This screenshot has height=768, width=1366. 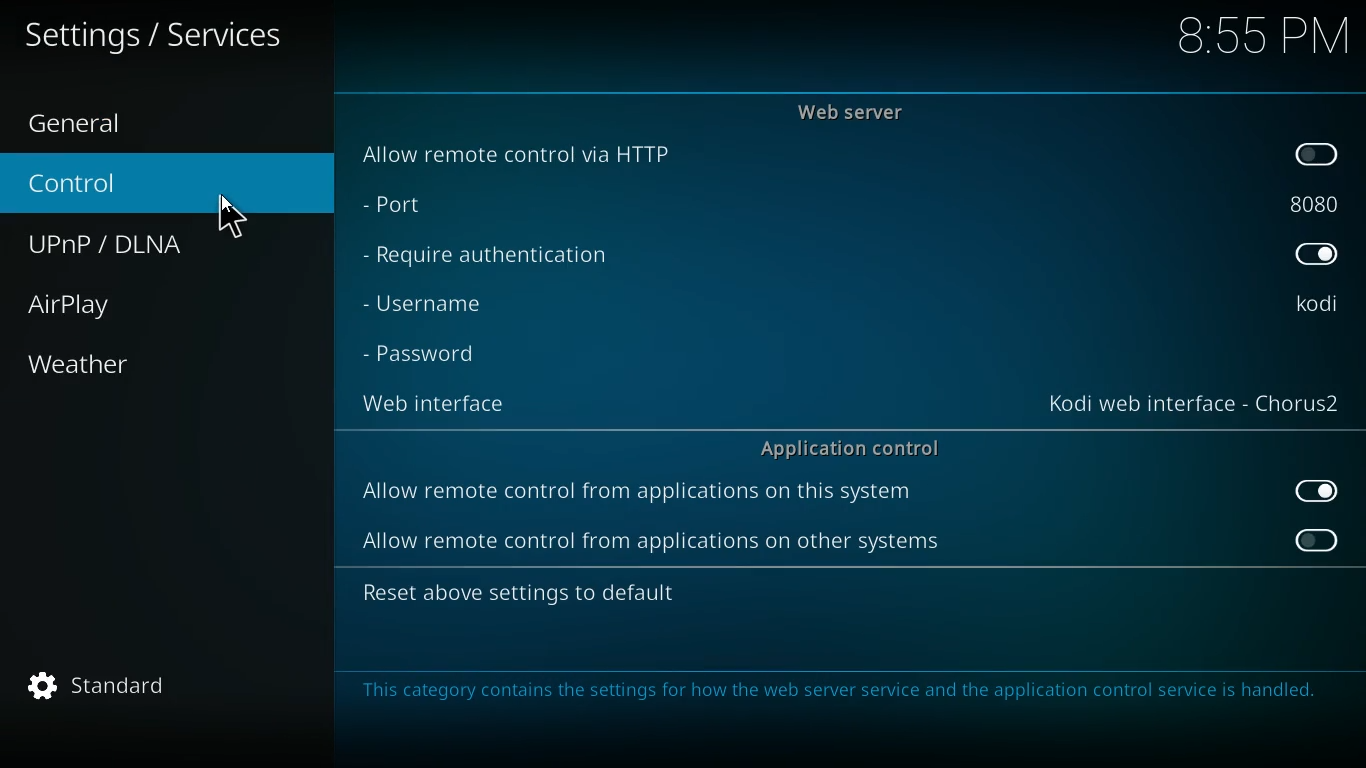 What do you see at coordinates (1194, 407) in the screenshot?
I see `web interface` at bounding box center [1194, 407].